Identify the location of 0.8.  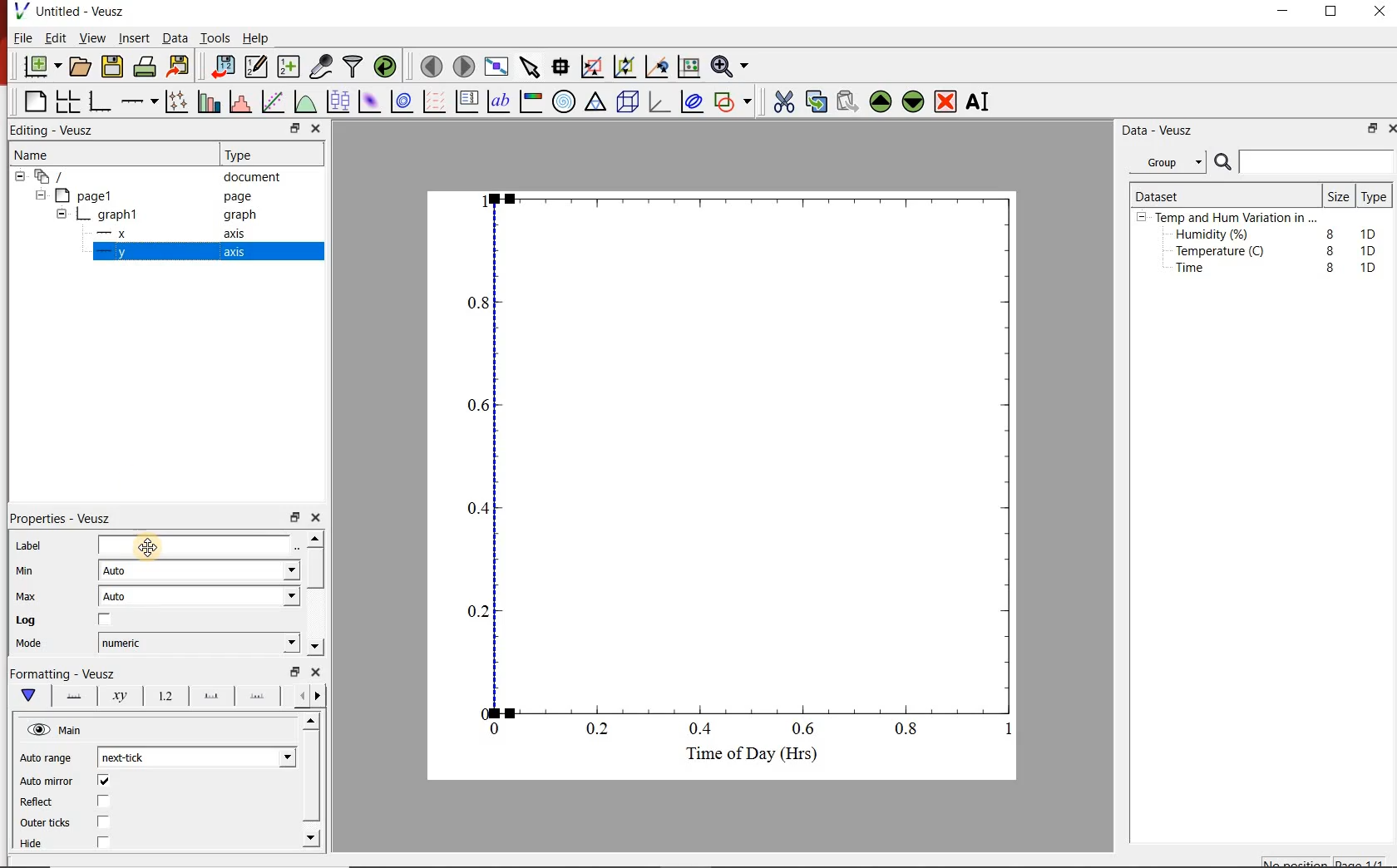
(479, 302).